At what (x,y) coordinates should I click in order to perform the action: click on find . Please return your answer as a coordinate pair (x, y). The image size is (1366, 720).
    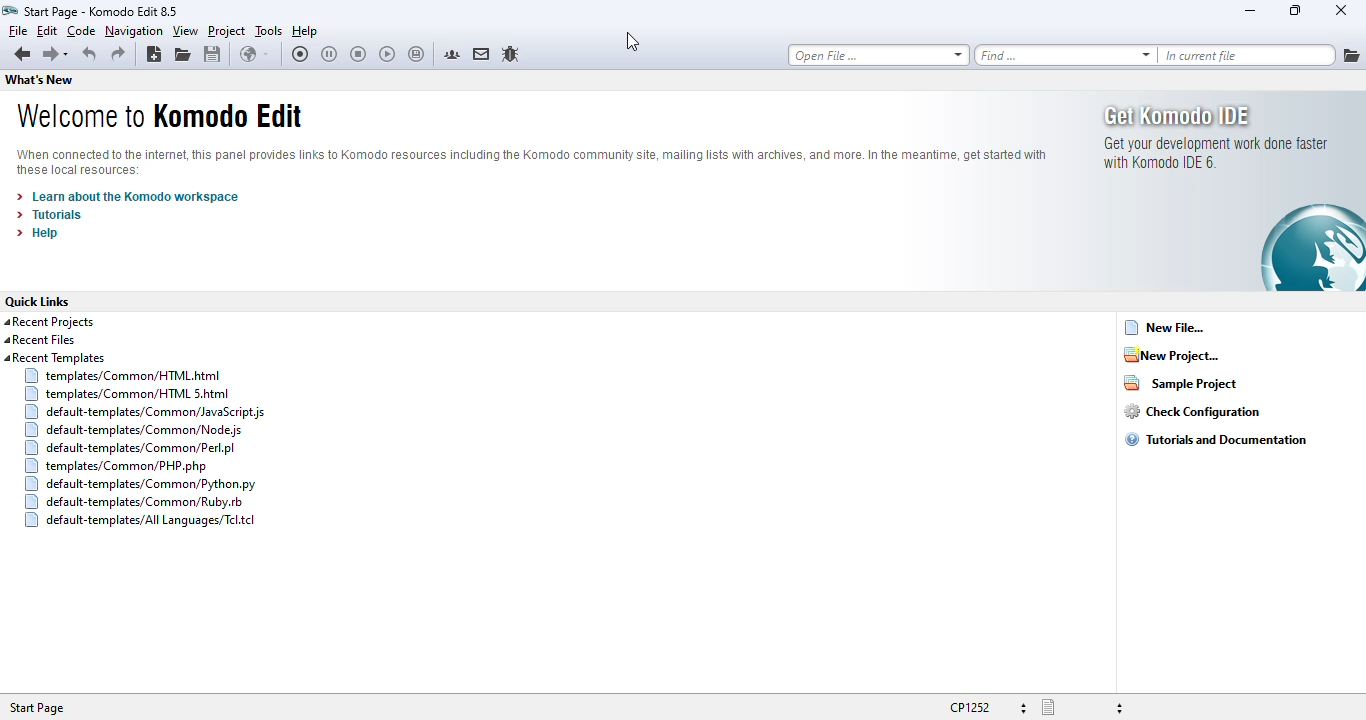
    Looking at the image, I should click on (1065, 55).